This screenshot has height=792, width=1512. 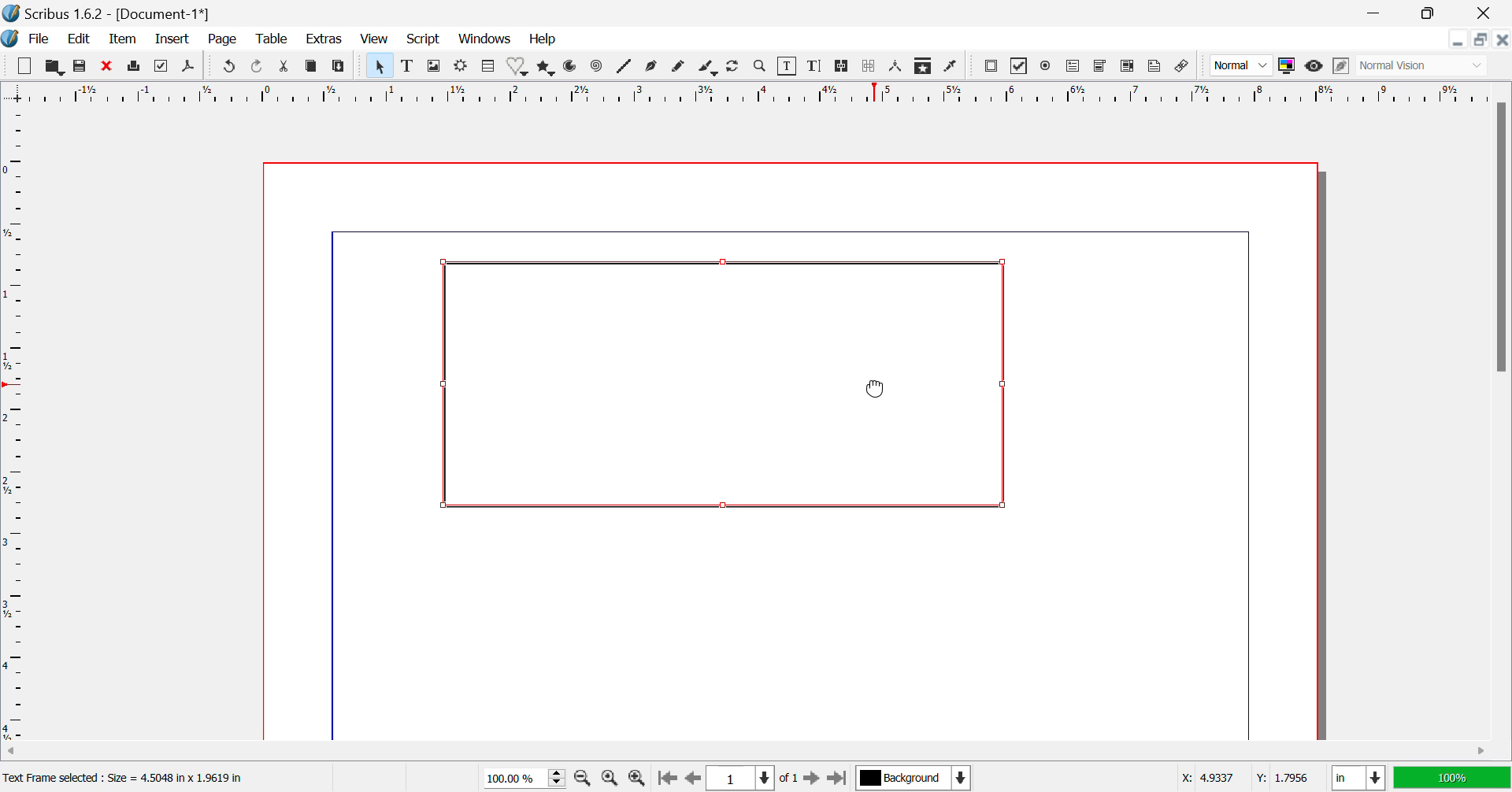 What do you see at coordinates (752, 777) in the screenshot?
I see `Page 1 of 1` at bounding box center [752, 777].